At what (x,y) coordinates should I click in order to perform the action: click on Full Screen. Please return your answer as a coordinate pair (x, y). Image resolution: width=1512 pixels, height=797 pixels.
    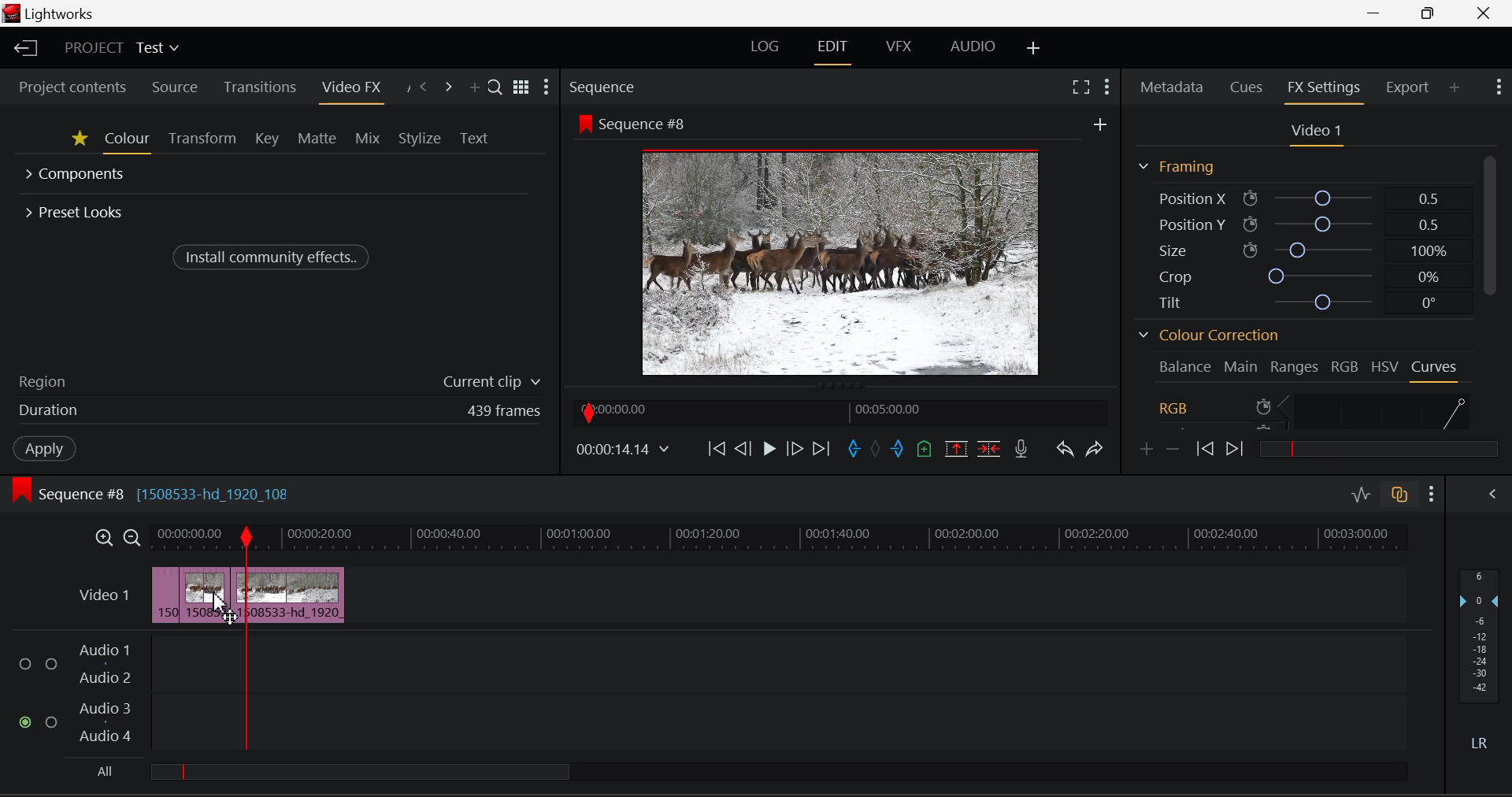
    Looking at the image, I should click on (1080, 89).